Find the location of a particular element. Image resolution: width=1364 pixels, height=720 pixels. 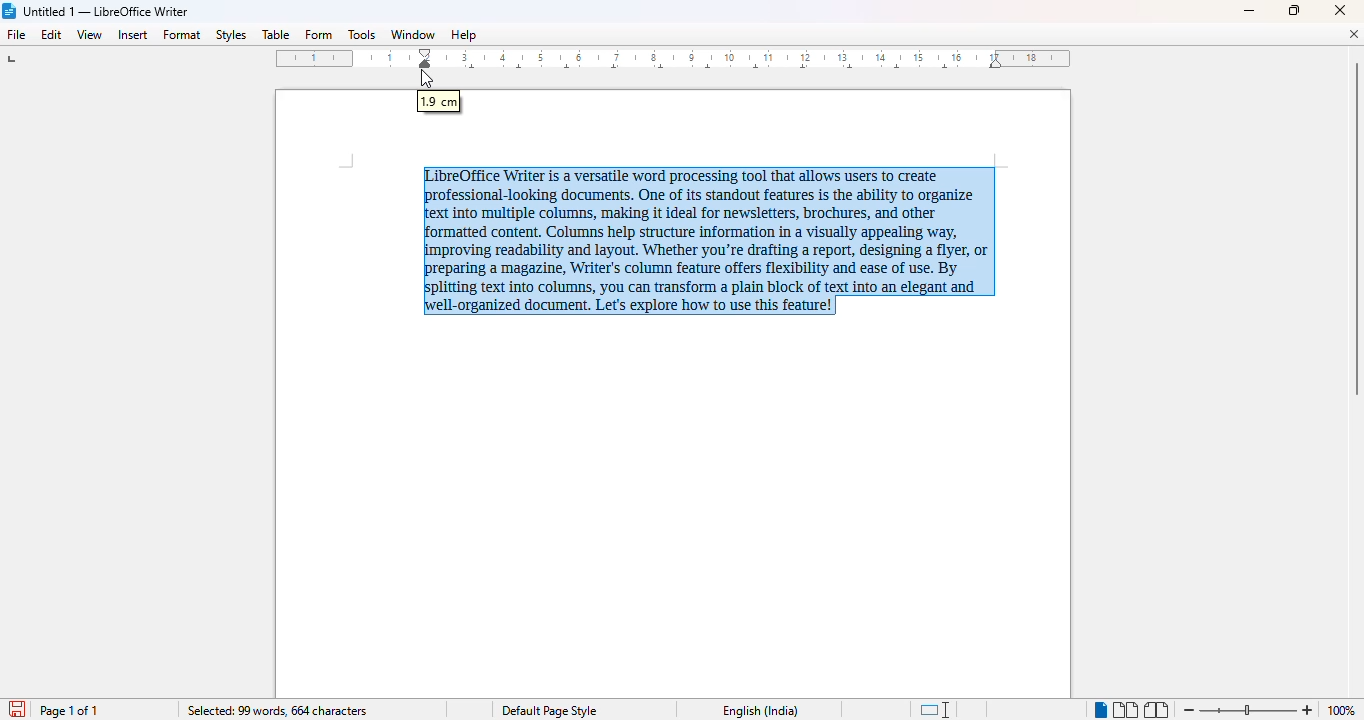

100% (zoom level) is located at coordinates (1344, 710).